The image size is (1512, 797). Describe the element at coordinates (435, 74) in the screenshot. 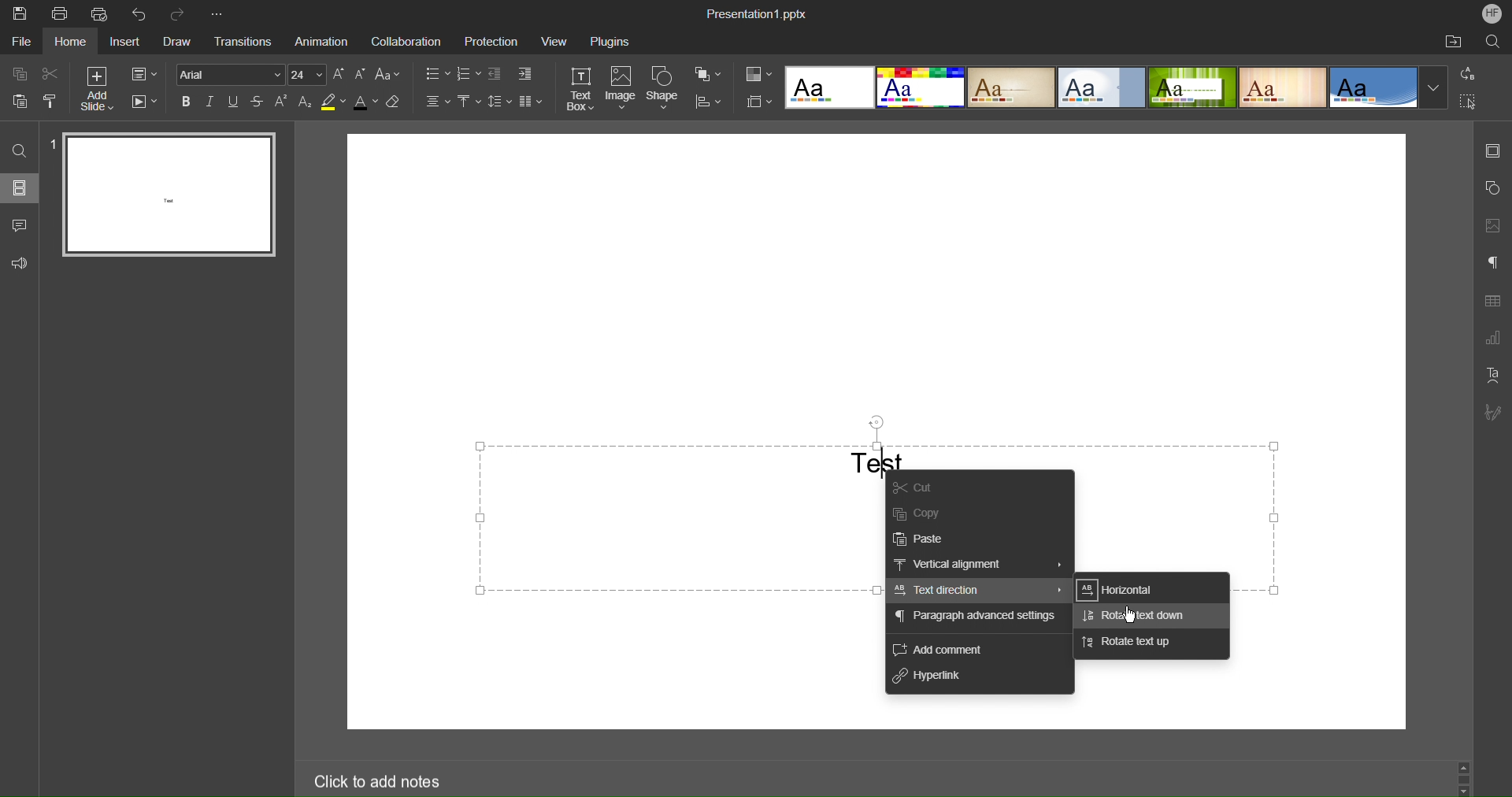

I see `Bullet List` at that location.